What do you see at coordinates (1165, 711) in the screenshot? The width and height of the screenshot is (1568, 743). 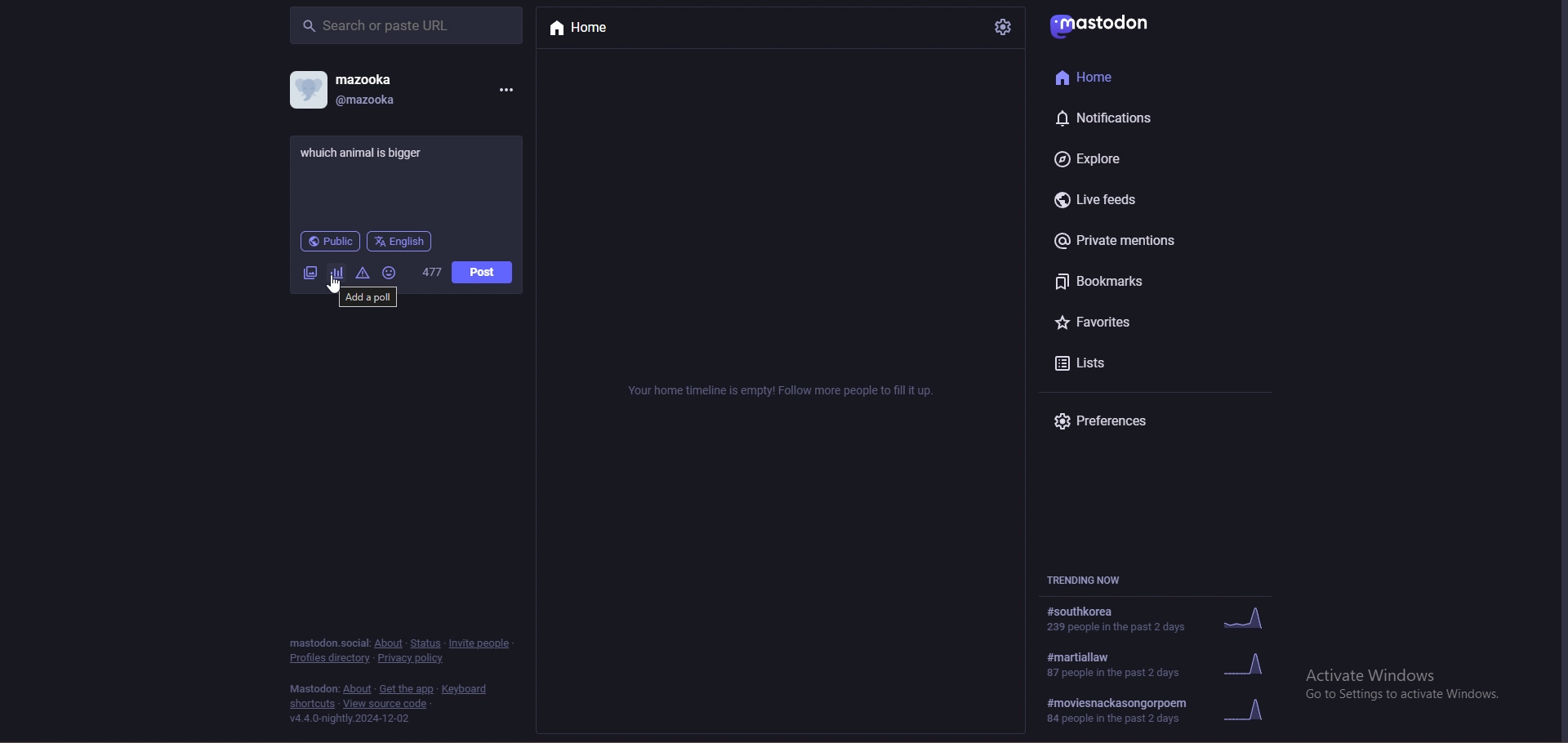 I see `#moviesnackasongorpoem` at bounding box center [1165, 711].